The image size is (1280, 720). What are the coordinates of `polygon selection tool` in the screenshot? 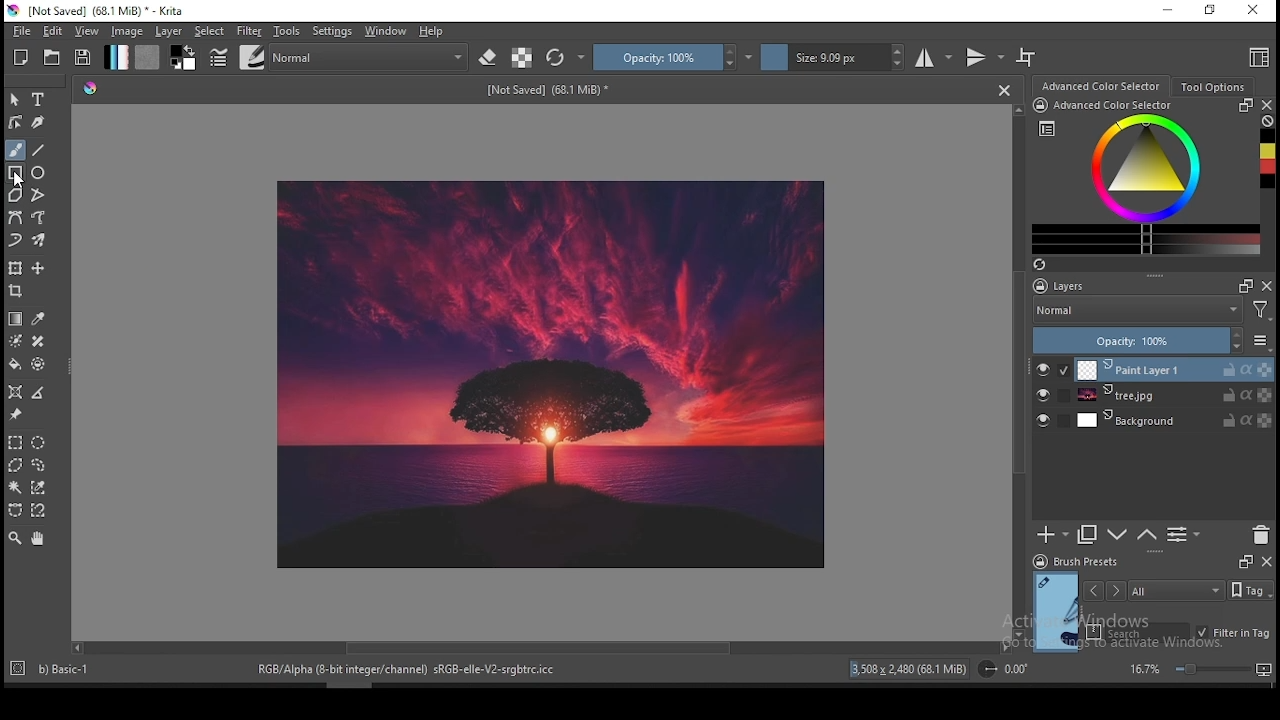 It's located at (14, 442).